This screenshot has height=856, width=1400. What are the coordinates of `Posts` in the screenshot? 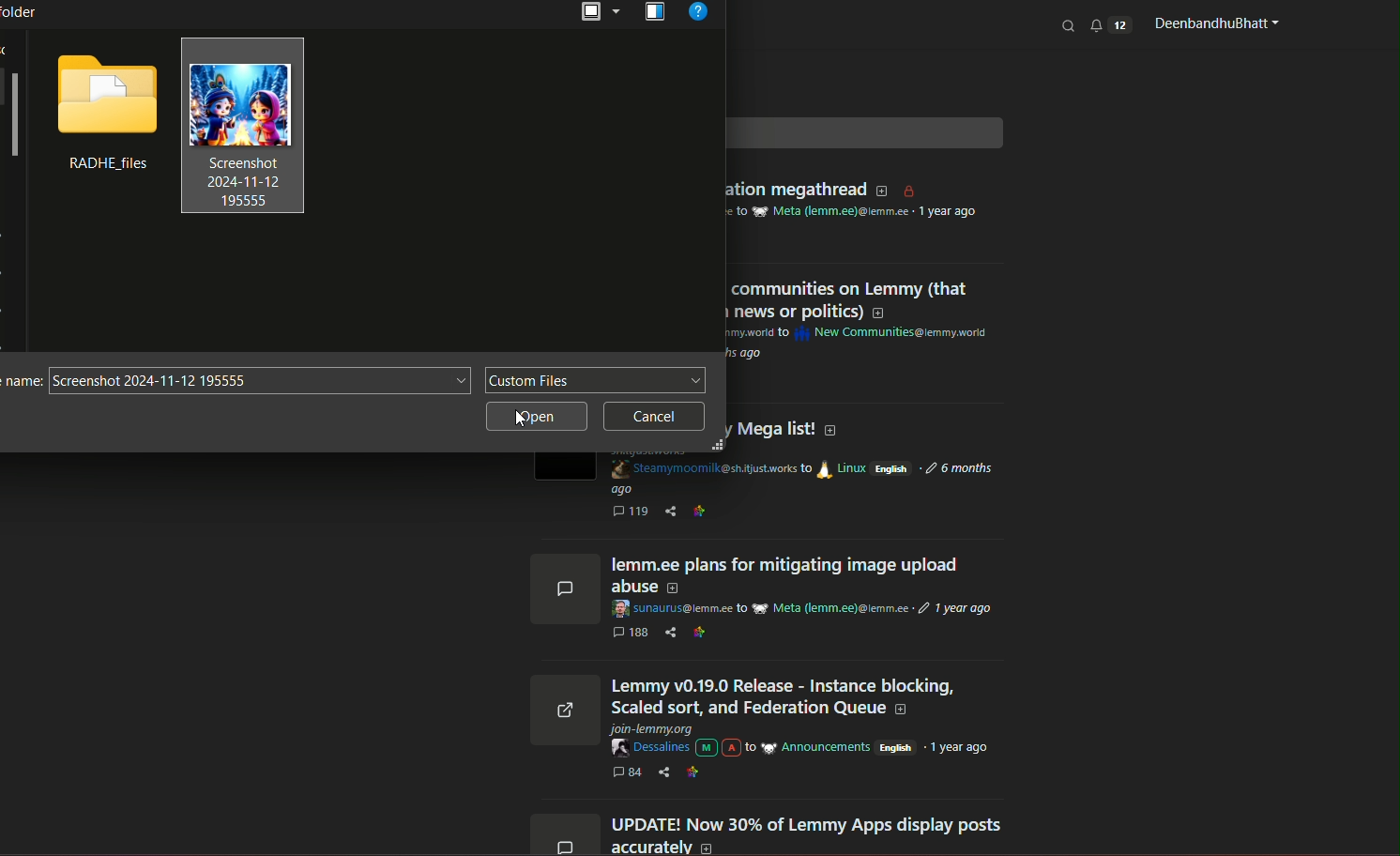 It's located at (810, 698).